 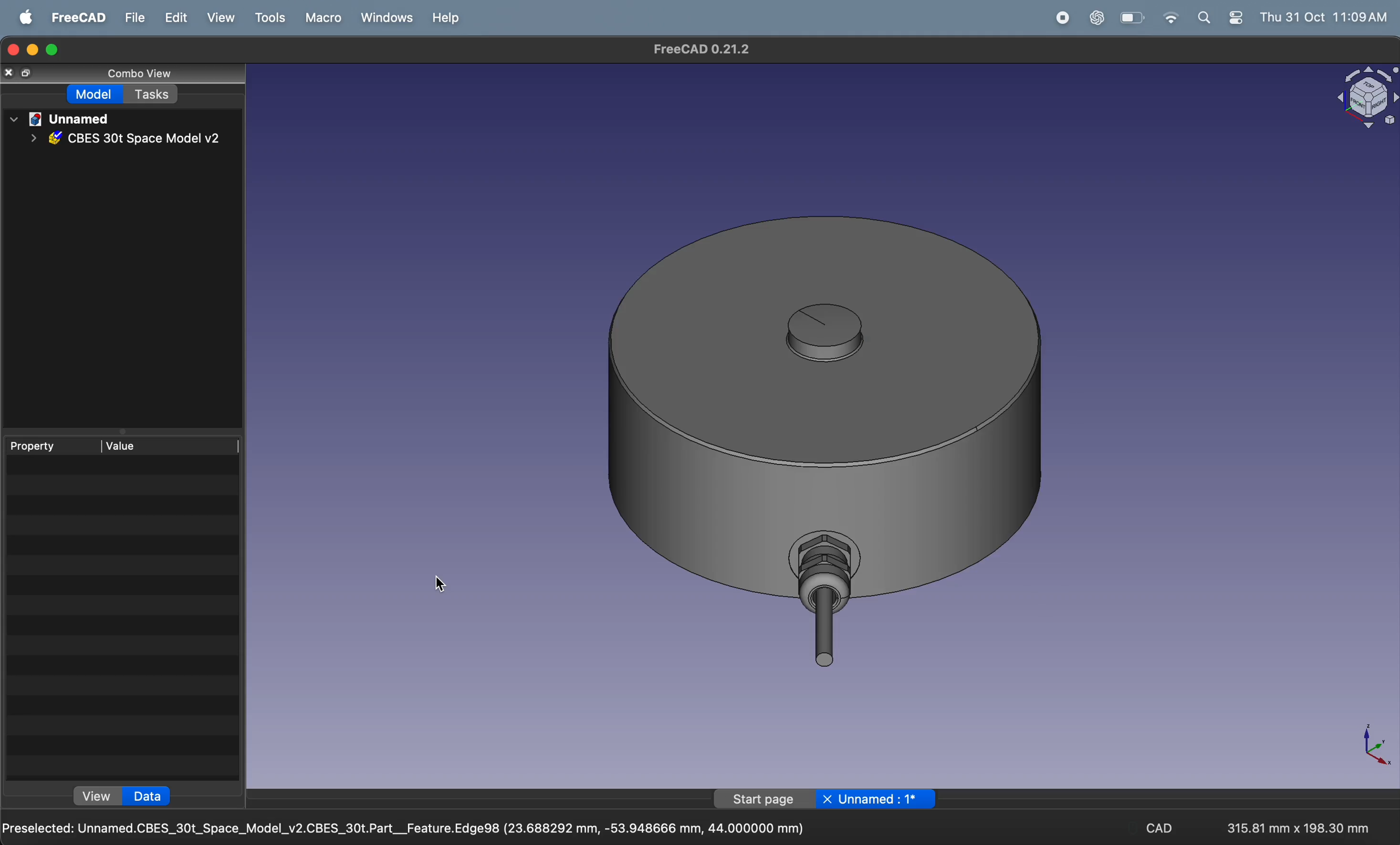 I want to click on cursor, so click(x=434, y=588).